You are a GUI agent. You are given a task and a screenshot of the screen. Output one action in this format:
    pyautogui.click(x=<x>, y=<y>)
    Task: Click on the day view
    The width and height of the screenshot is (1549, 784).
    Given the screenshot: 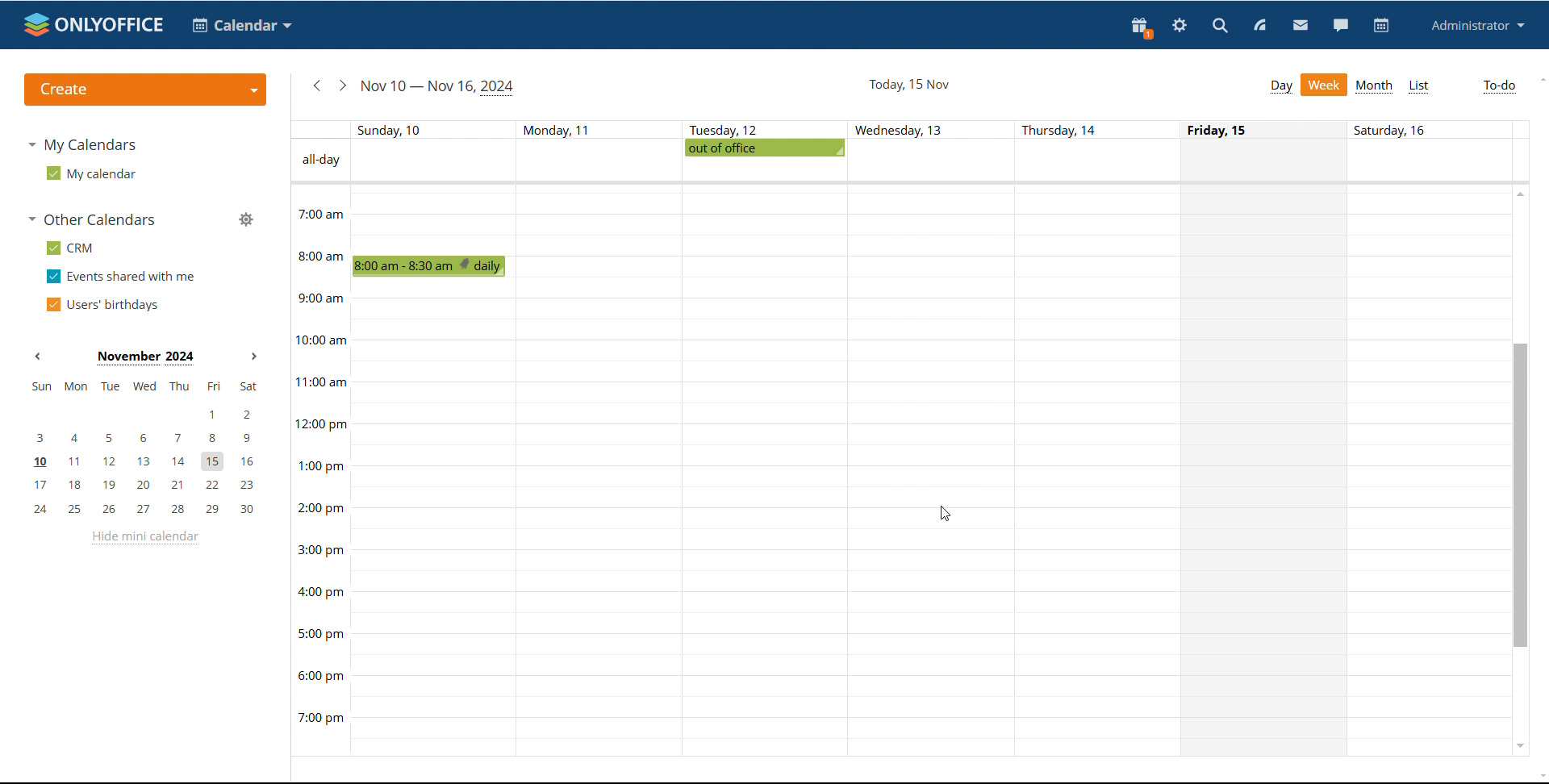 What is the action you would take?
    pyautogui.click(x=1280, y=86)
    